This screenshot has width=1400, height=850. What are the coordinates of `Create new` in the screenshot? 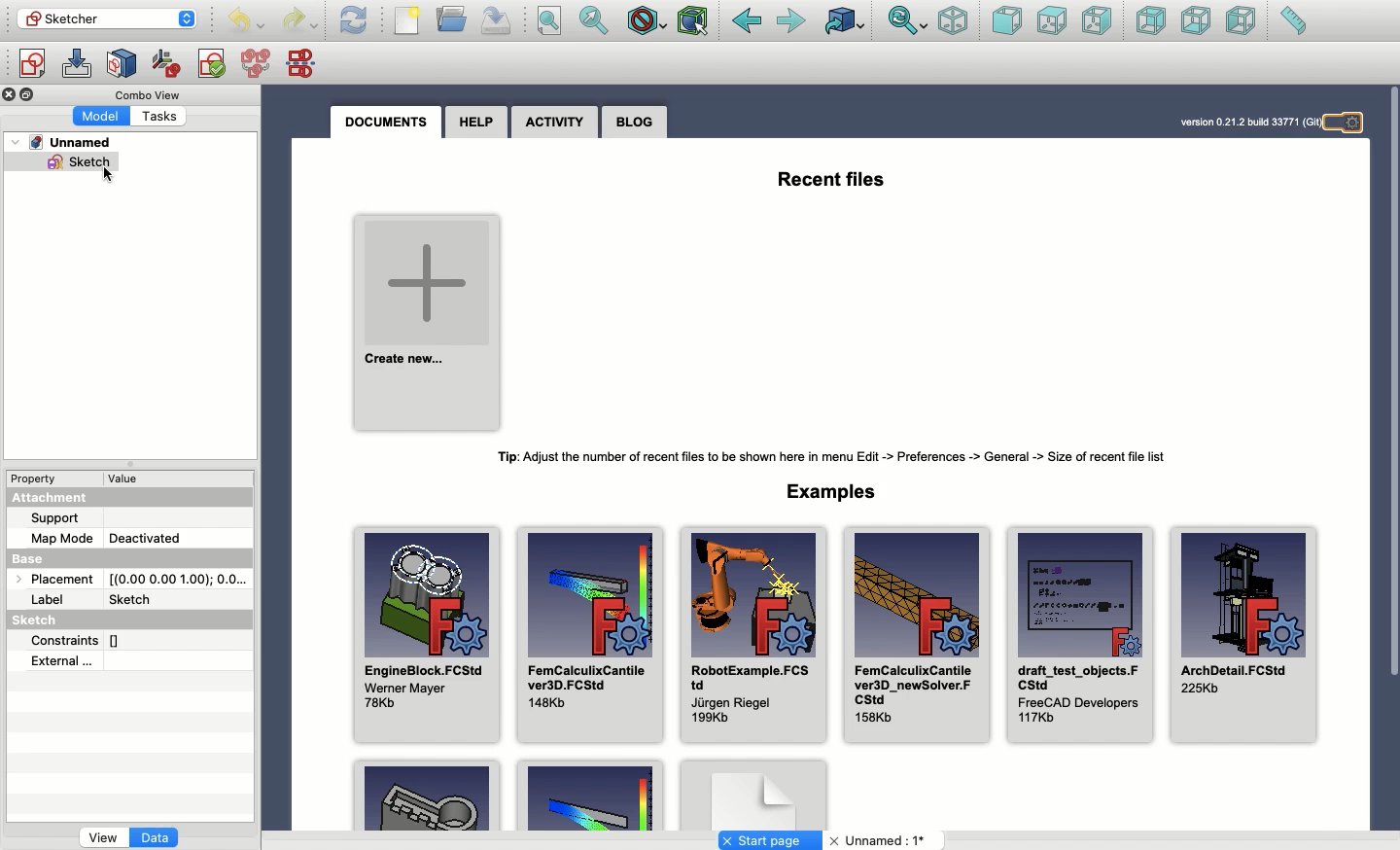 It's located at (429, 318).